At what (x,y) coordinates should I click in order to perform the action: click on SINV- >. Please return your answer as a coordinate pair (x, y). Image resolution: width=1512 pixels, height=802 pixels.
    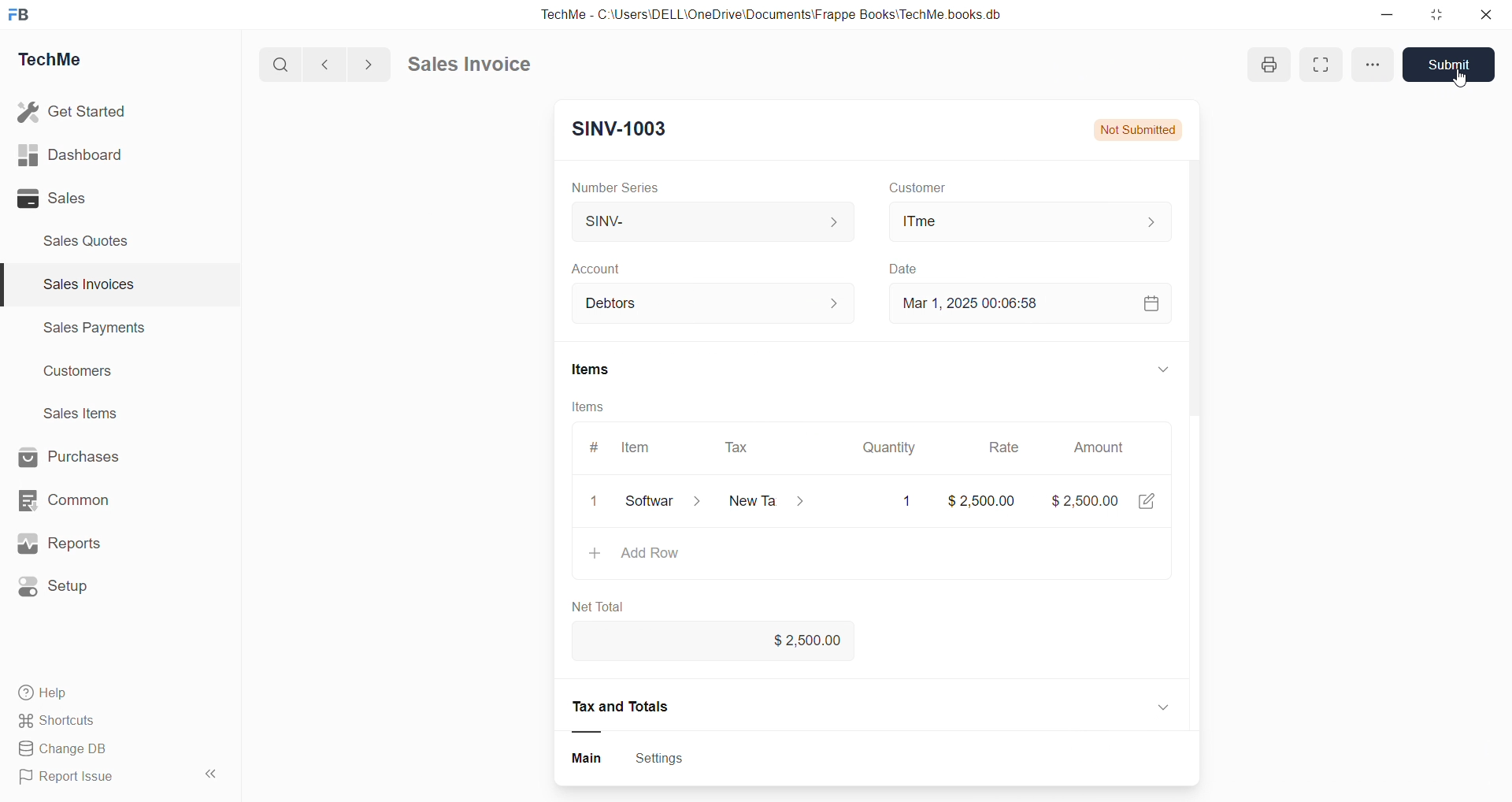
    Looking at the image, I should click on (709, 223).